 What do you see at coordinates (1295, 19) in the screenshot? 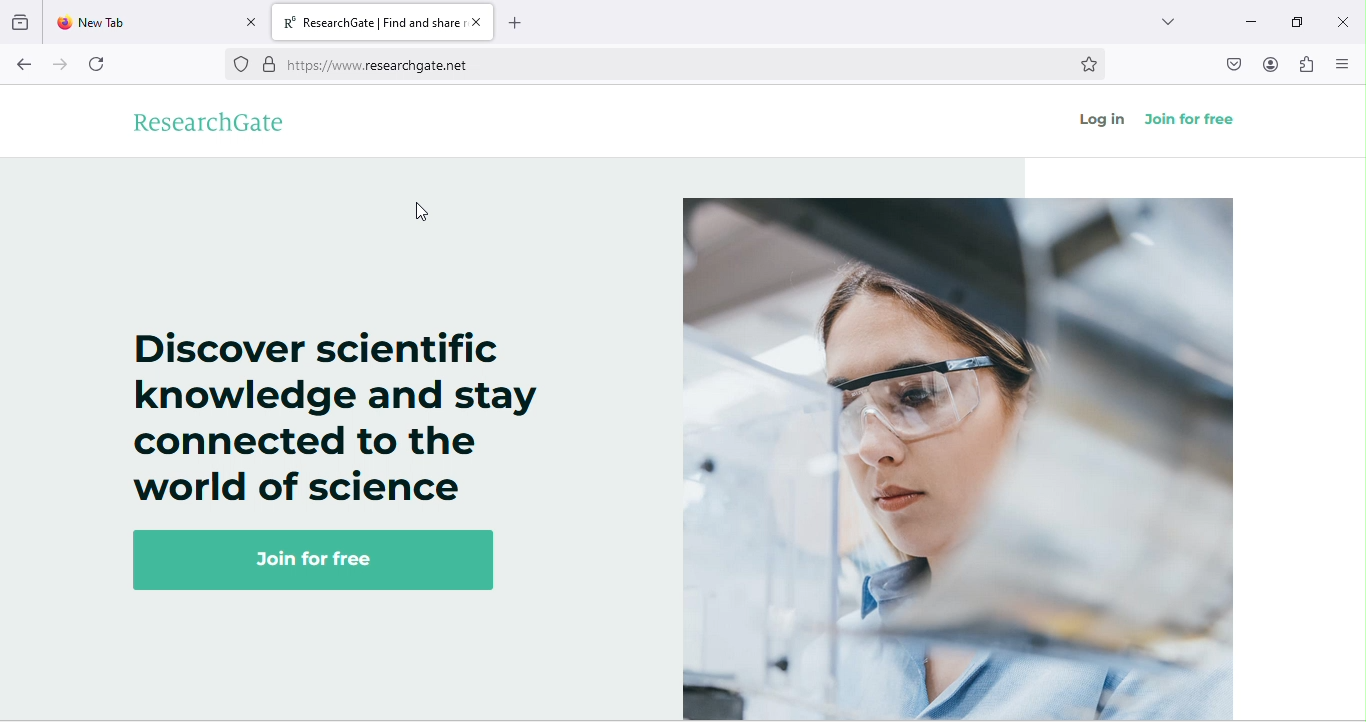
I see `maximize` at bounding box center [1295, 19].